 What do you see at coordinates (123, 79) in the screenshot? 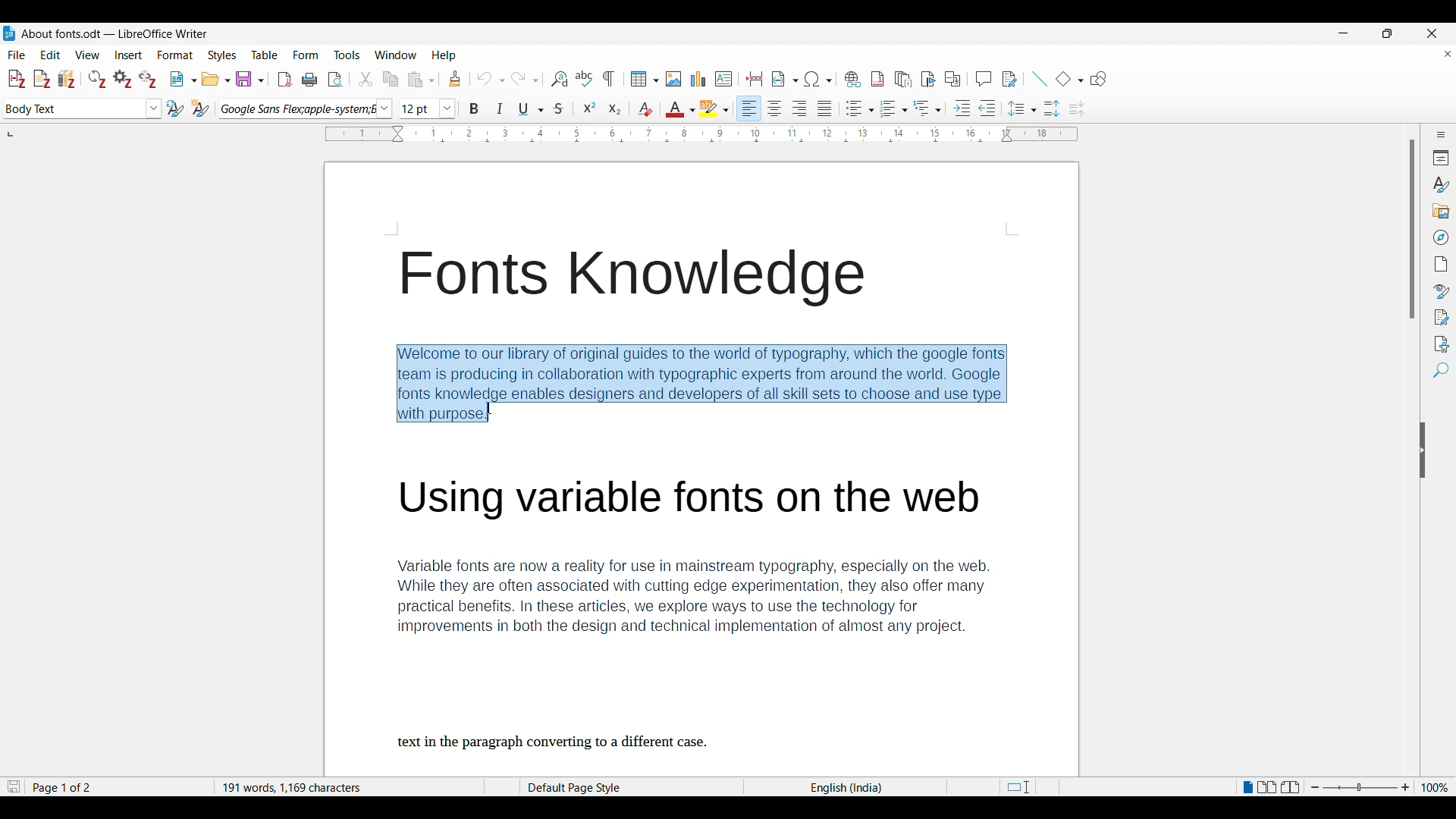
I see `Set document preferences` at bounding box center [123, 79].